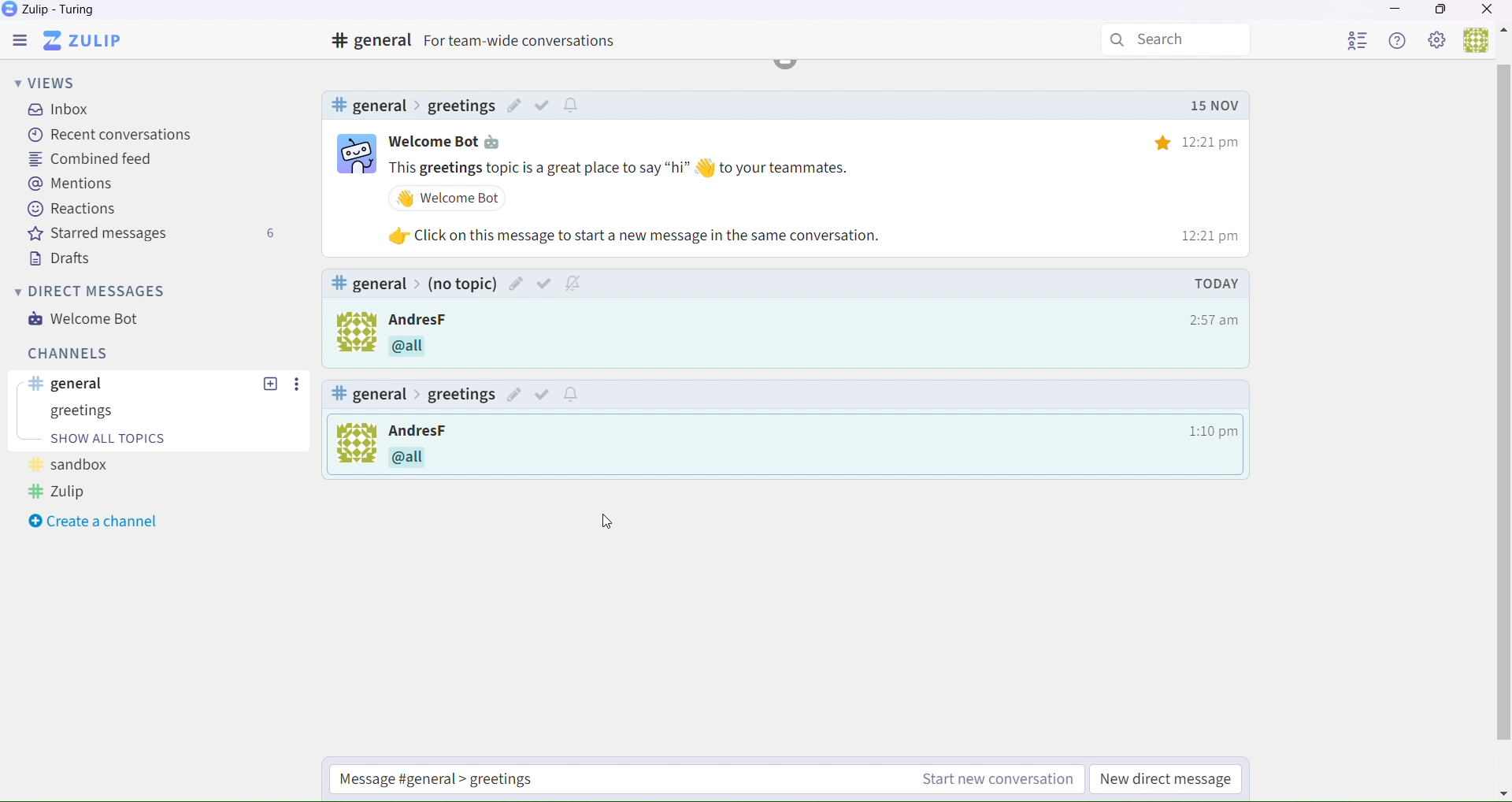 This screenshot has height=802, width=1512. Describe the element at coordinates (1202, 136) in the screenshot. I see `12:21 pm` at that location.